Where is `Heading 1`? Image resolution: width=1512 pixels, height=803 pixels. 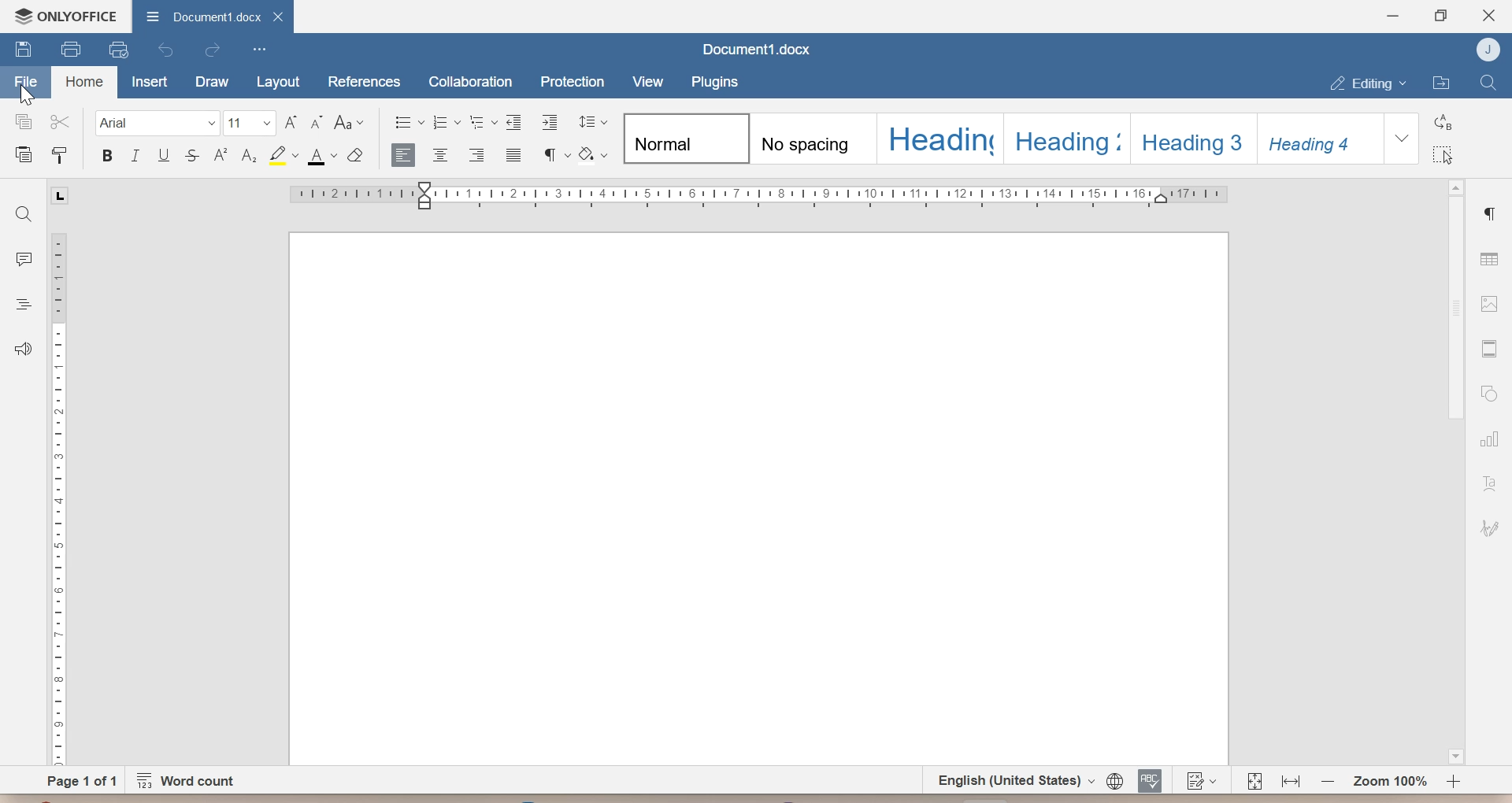 Heading 1 is located at coordinates (939, 138).